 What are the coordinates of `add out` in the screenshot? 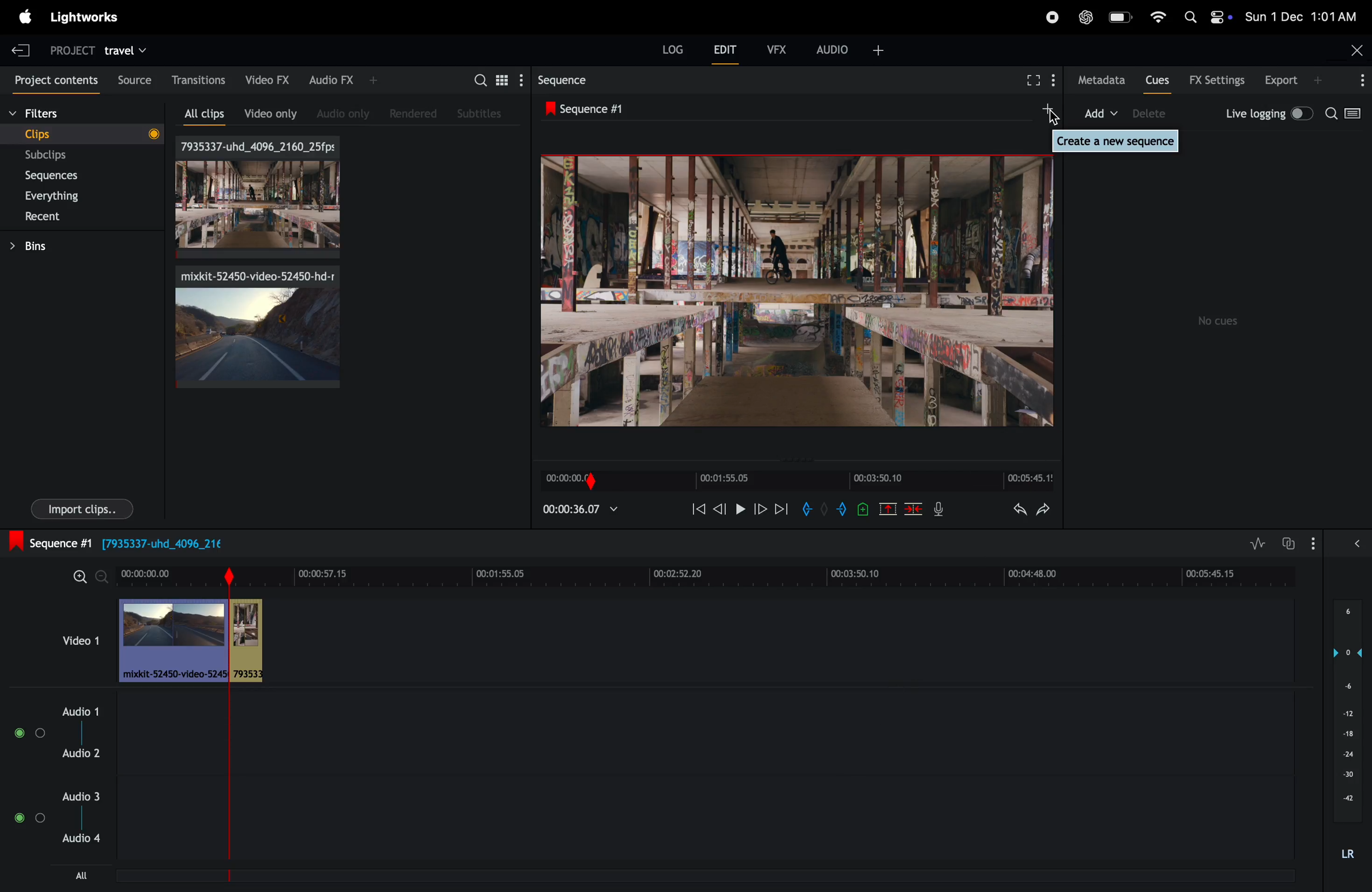 It's located at (842, 508).